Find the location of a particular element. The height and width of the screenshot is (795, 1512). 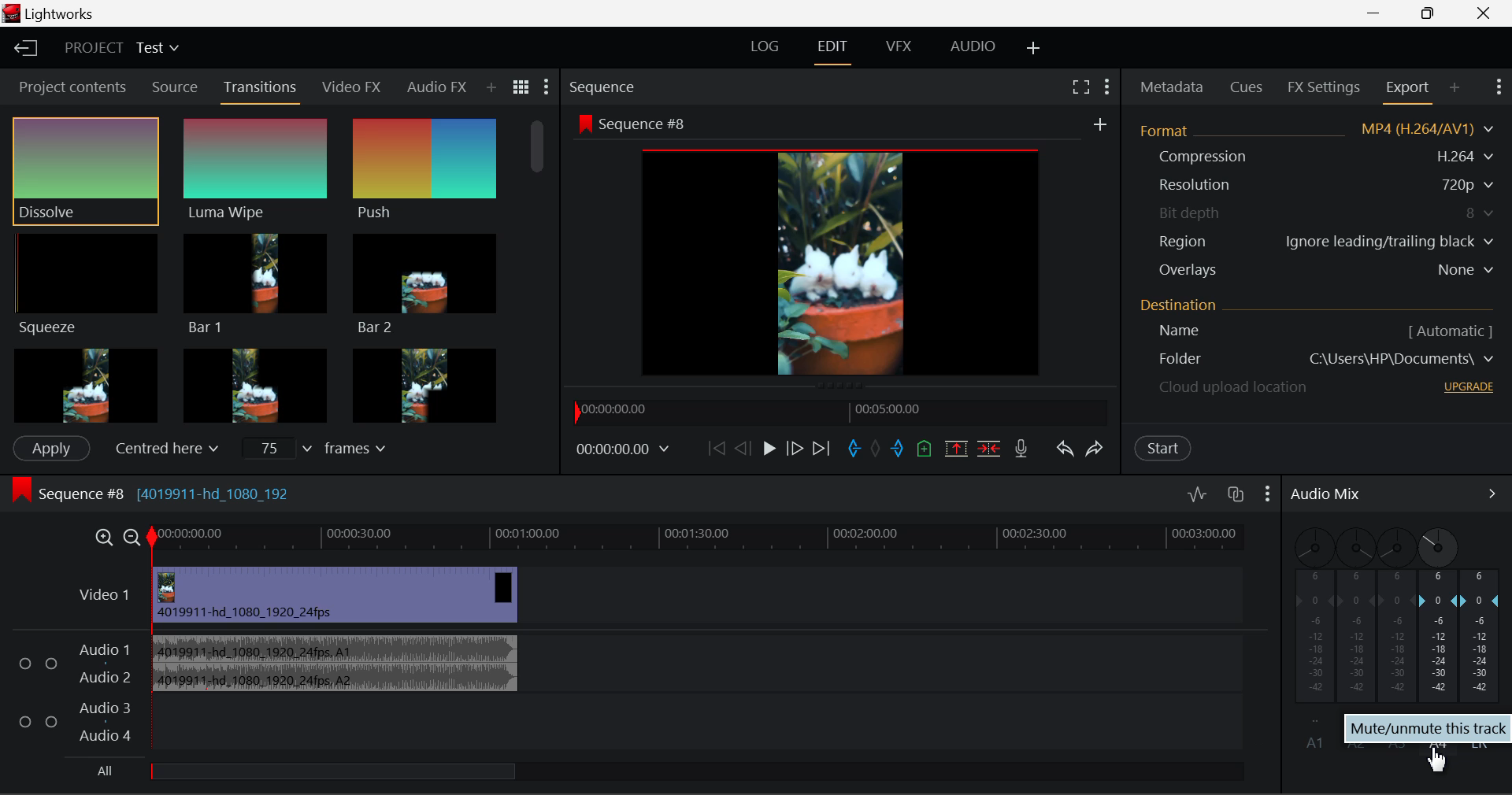

Lightworks is located at coordinates (49, 13).